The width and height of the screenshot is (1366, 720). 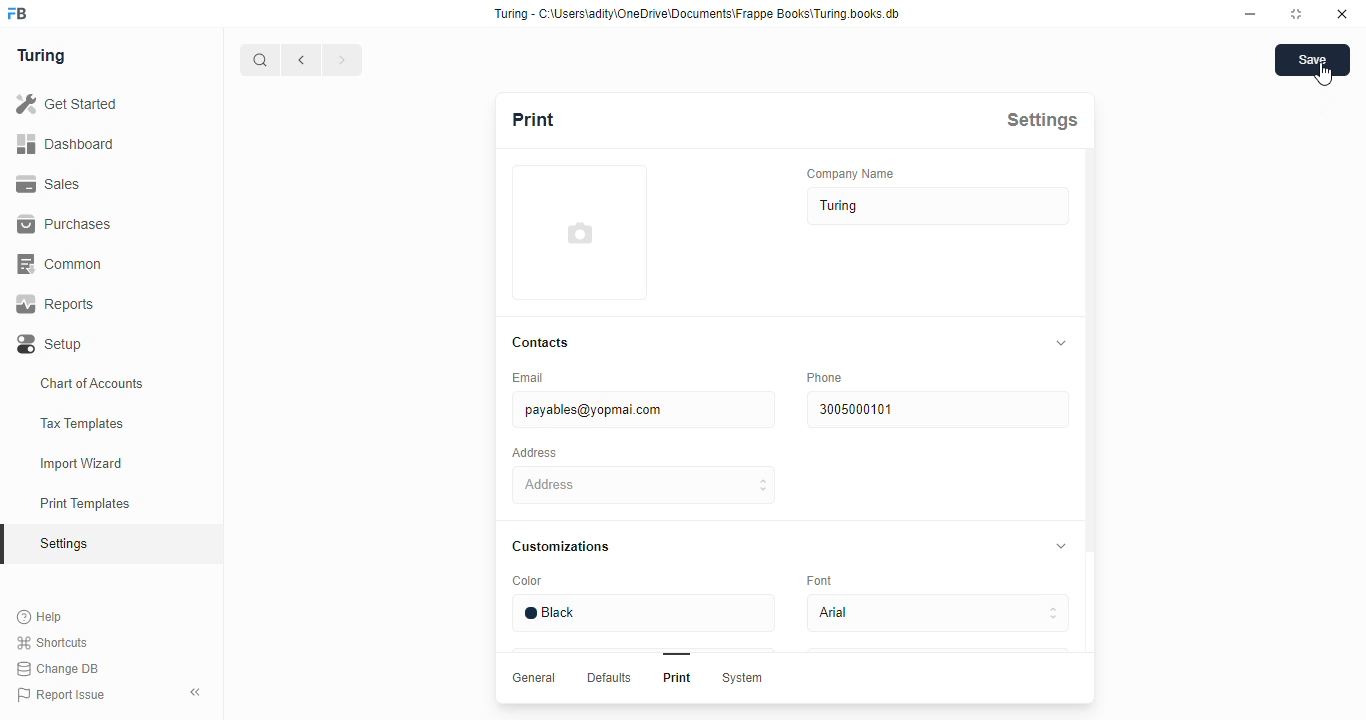 What do you see at coordinates (63, 695) in the screenshot?
I see `Report Issue` at bounding box center [63, 695].